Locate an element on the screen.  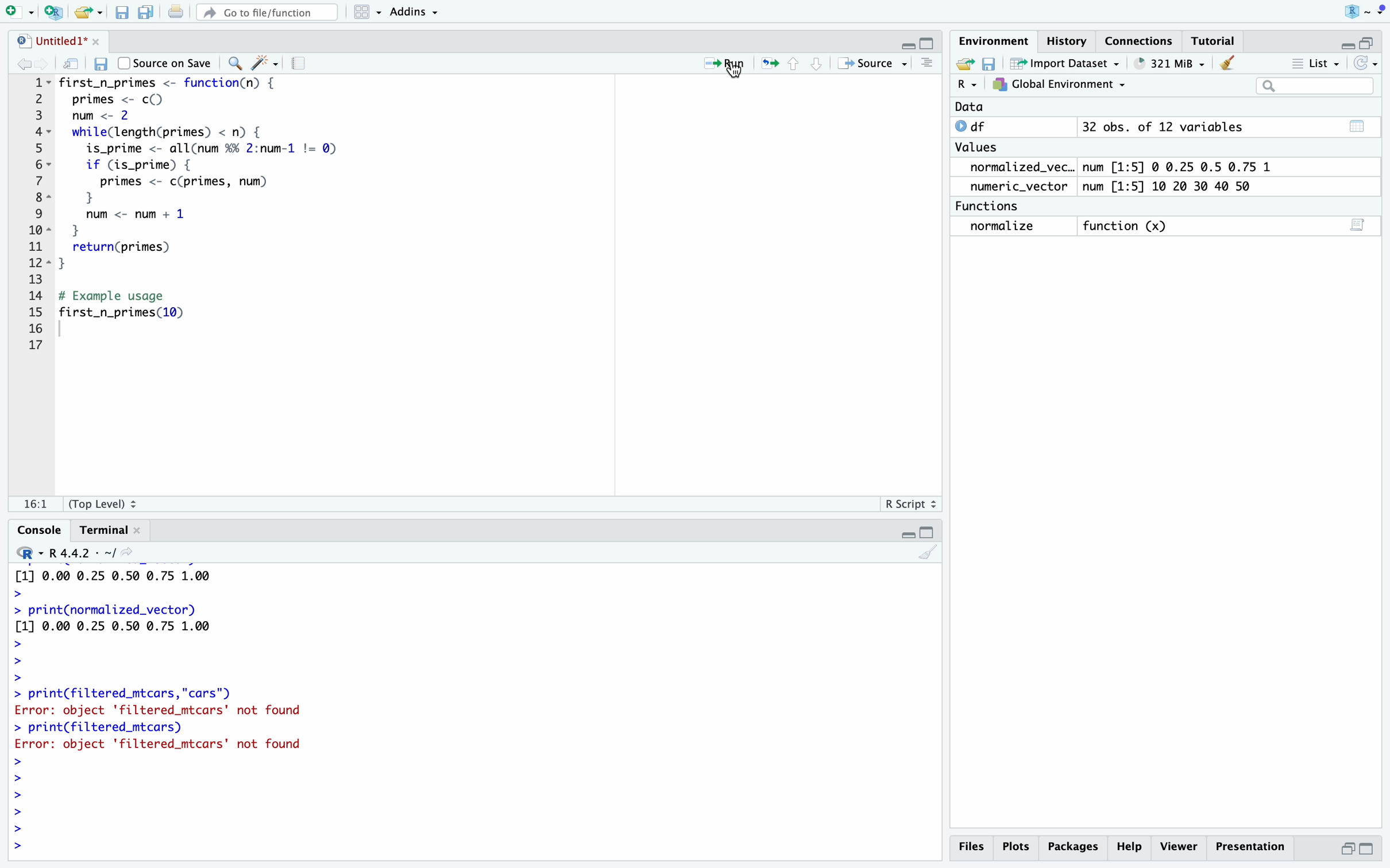
~ Addins ~ is located at coordinates (428, 14).